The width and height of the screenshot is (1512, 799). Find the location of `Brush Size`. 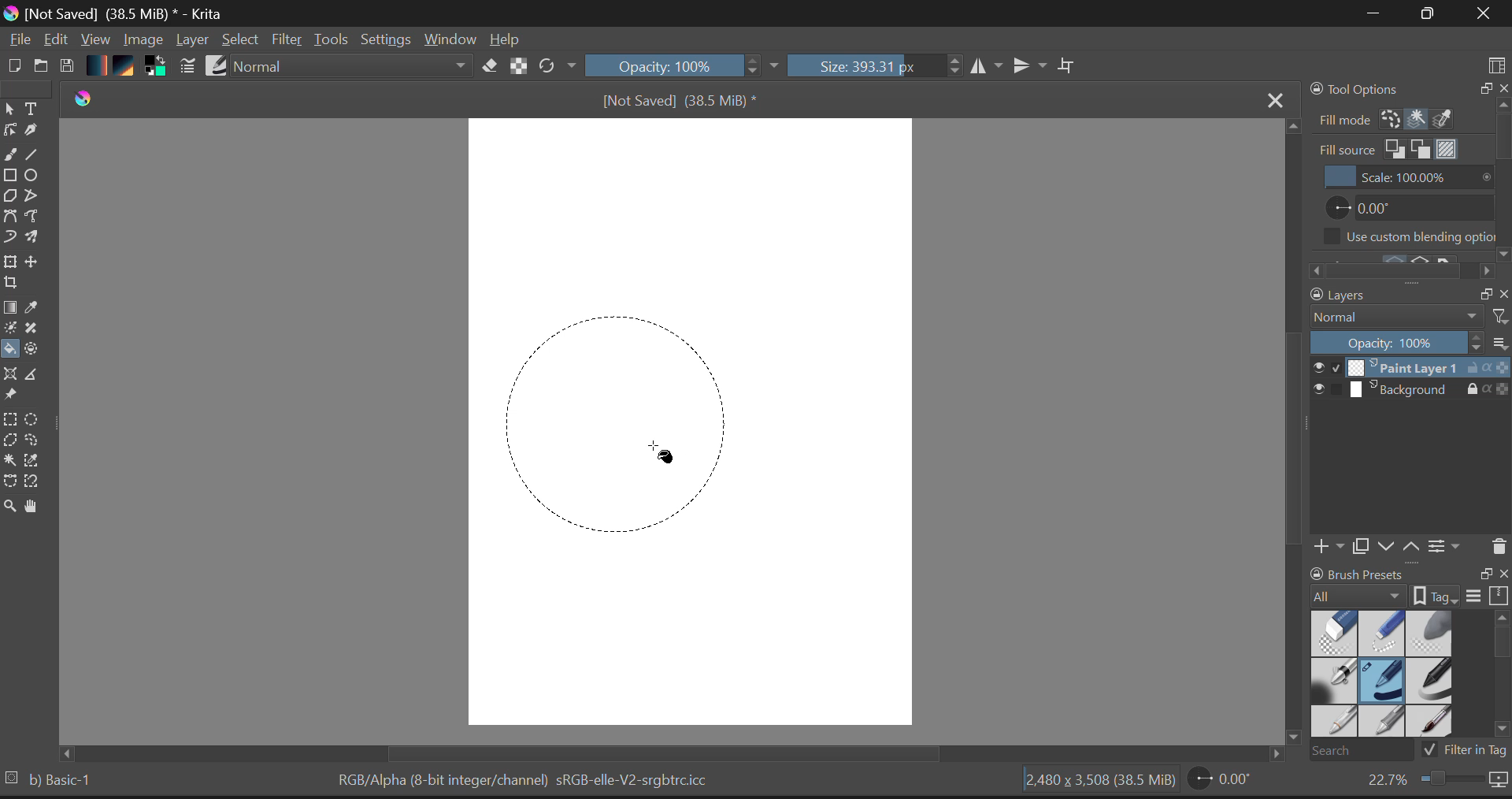

Brush Size is located at coordinates (874, 67).